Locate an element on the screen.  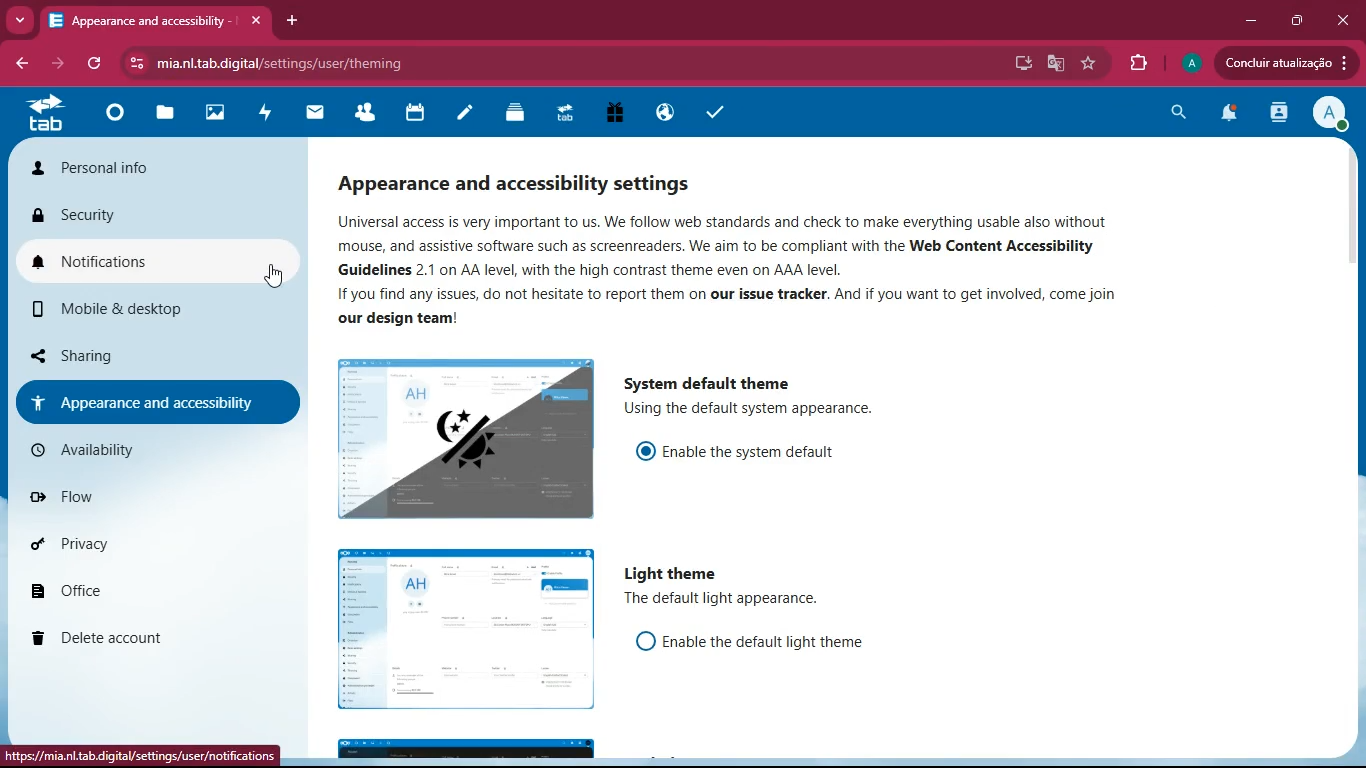
description is located at coordinates (730, 600).